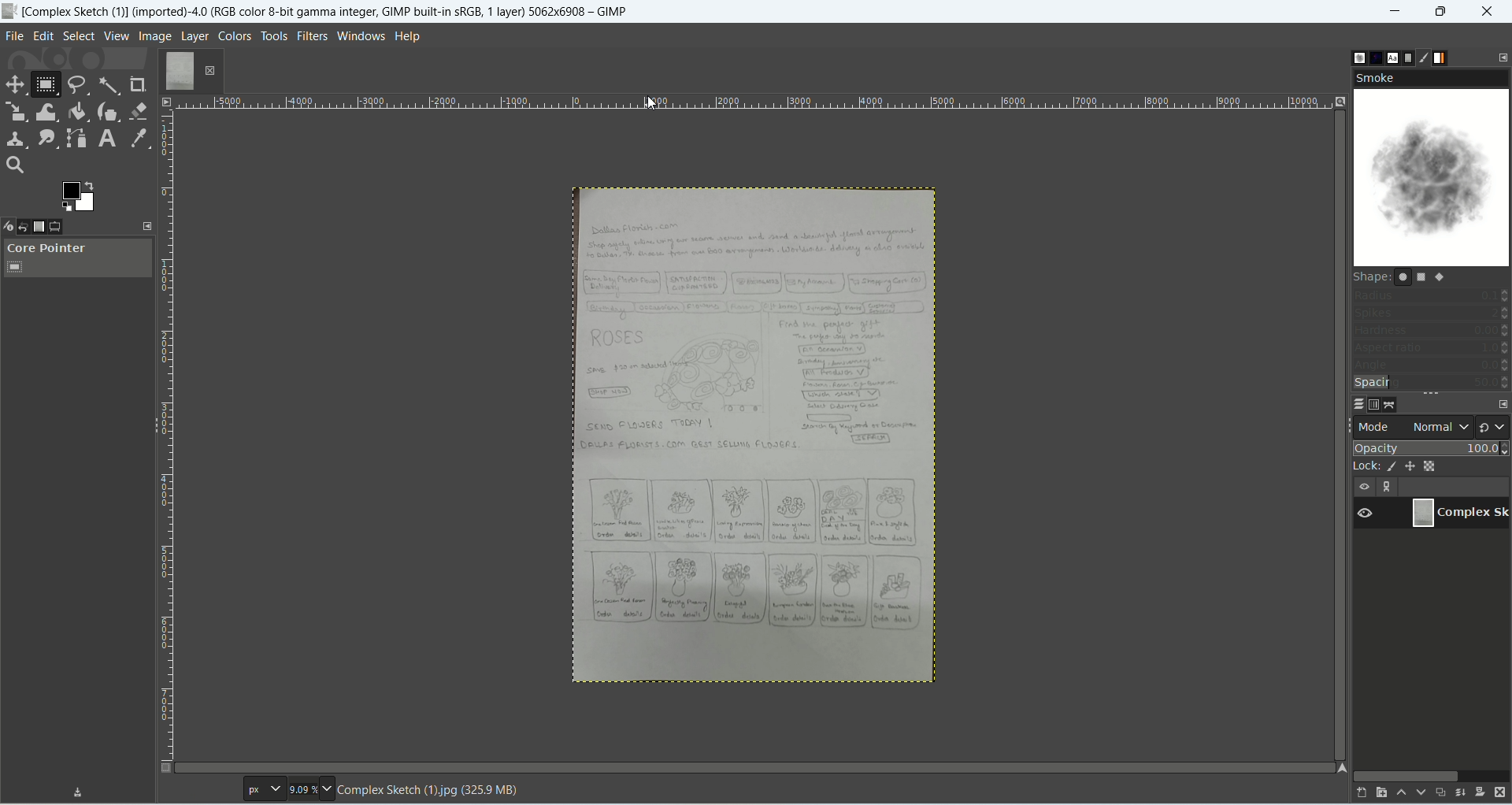 Image resolution: width=1512 pixels, height=805 pixels. I want to click on free select, so click(76, 87).